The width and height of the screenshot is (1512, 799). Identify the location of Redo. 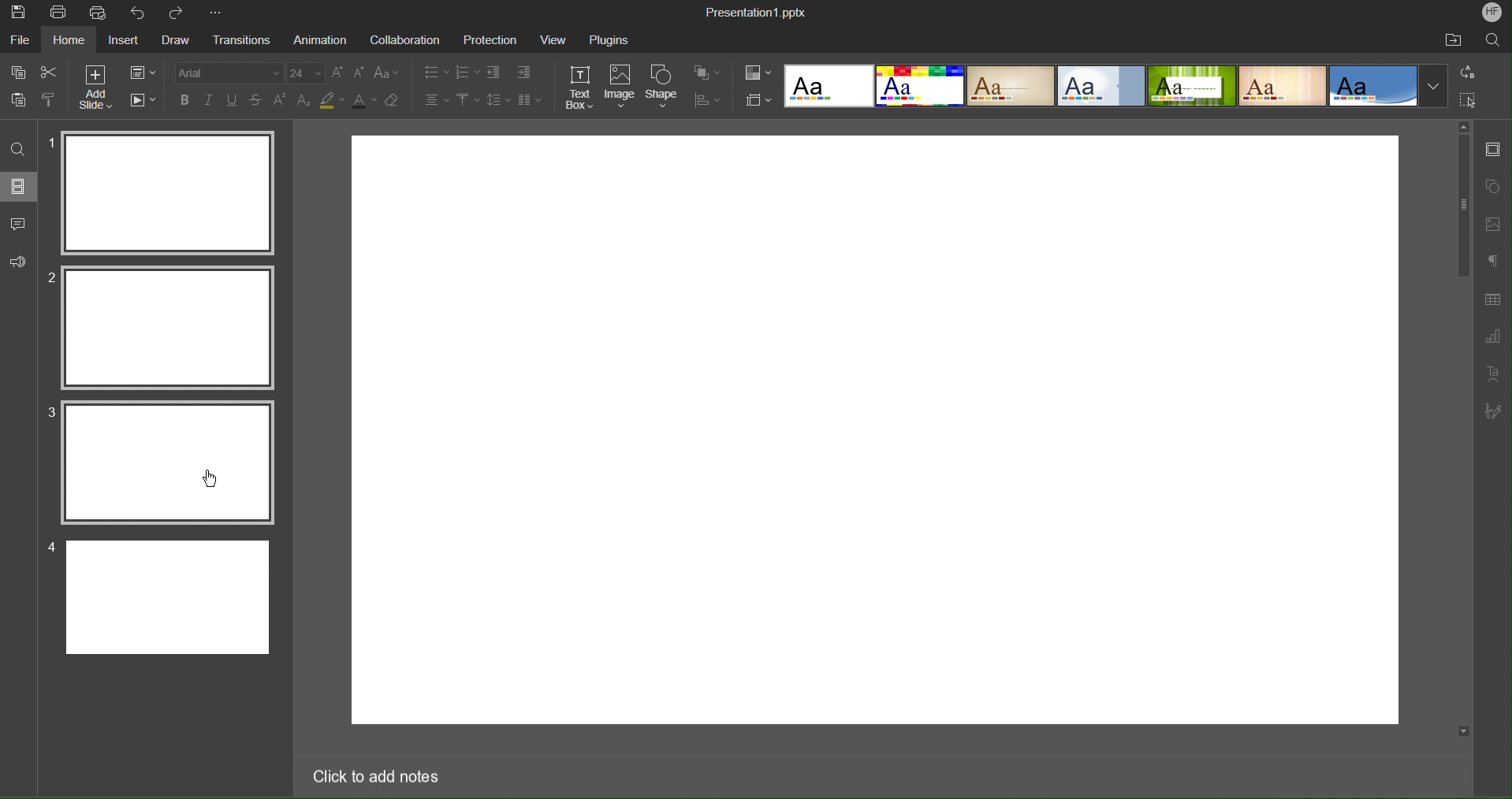
(178, 13).